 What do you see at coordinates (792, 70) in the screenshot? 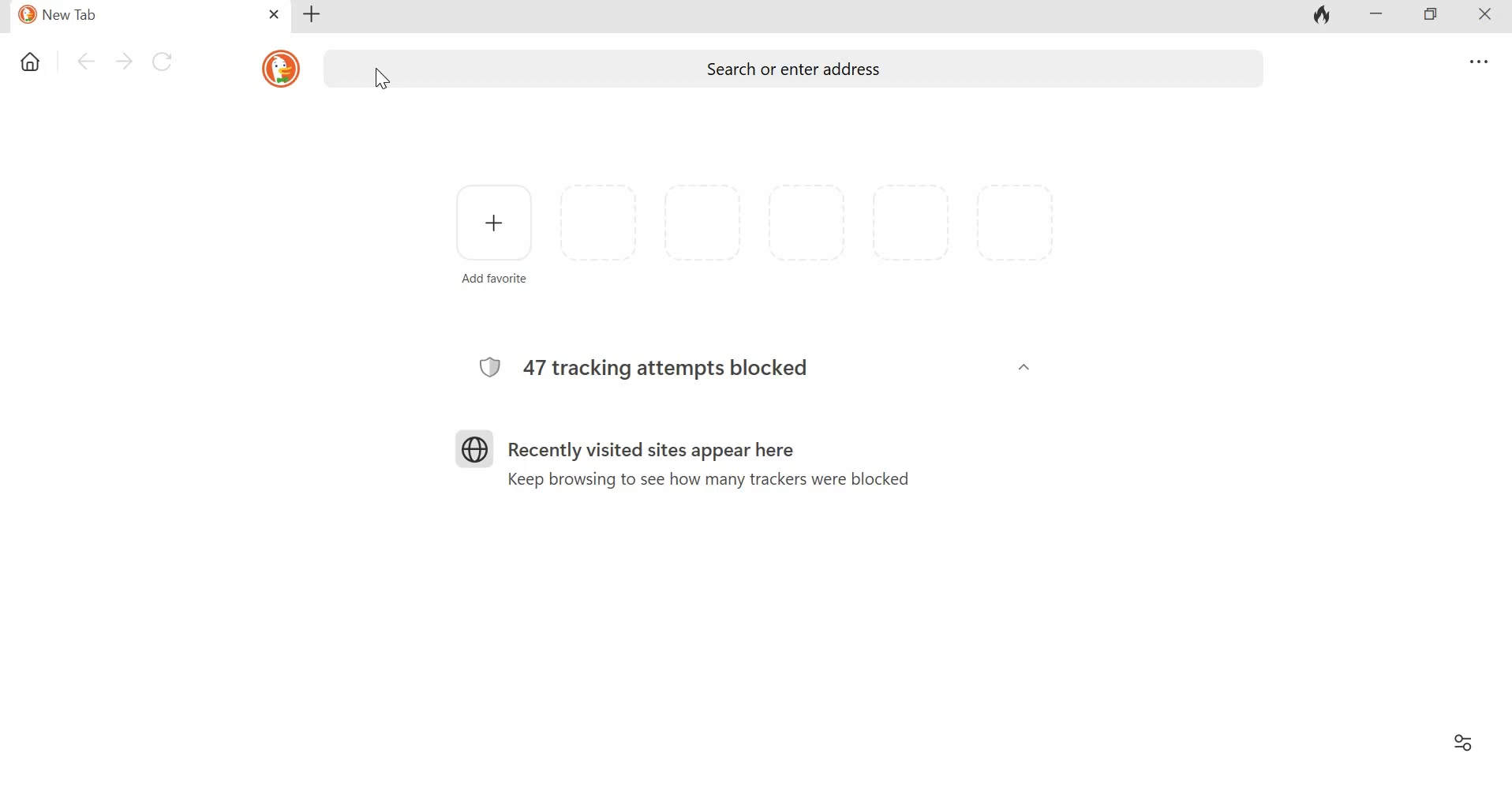
I see `Search or enter address` at bounding box center [792, 70].